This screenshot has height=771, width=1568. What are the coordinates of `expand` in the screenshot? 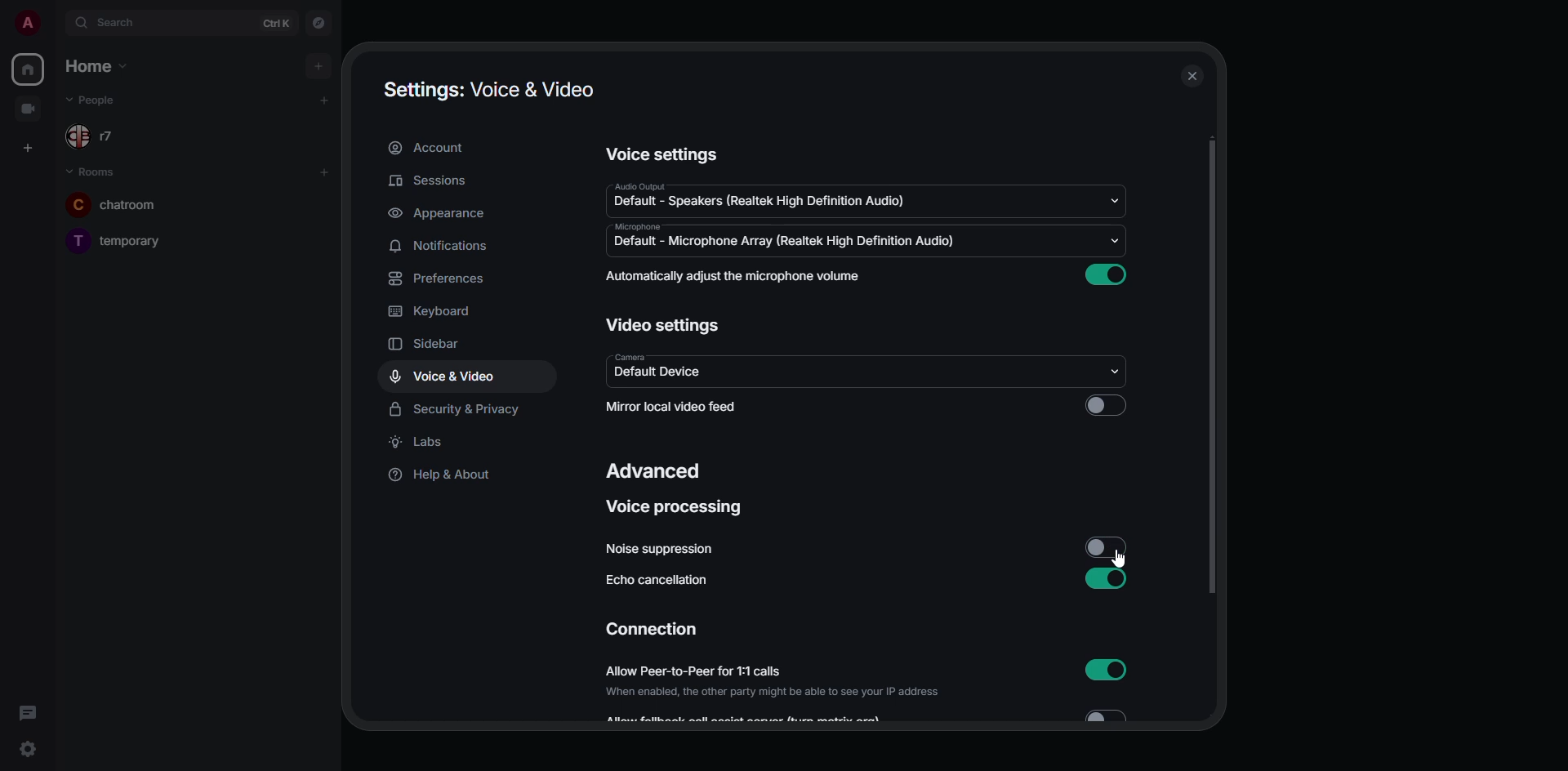 It's located at (57, 25).